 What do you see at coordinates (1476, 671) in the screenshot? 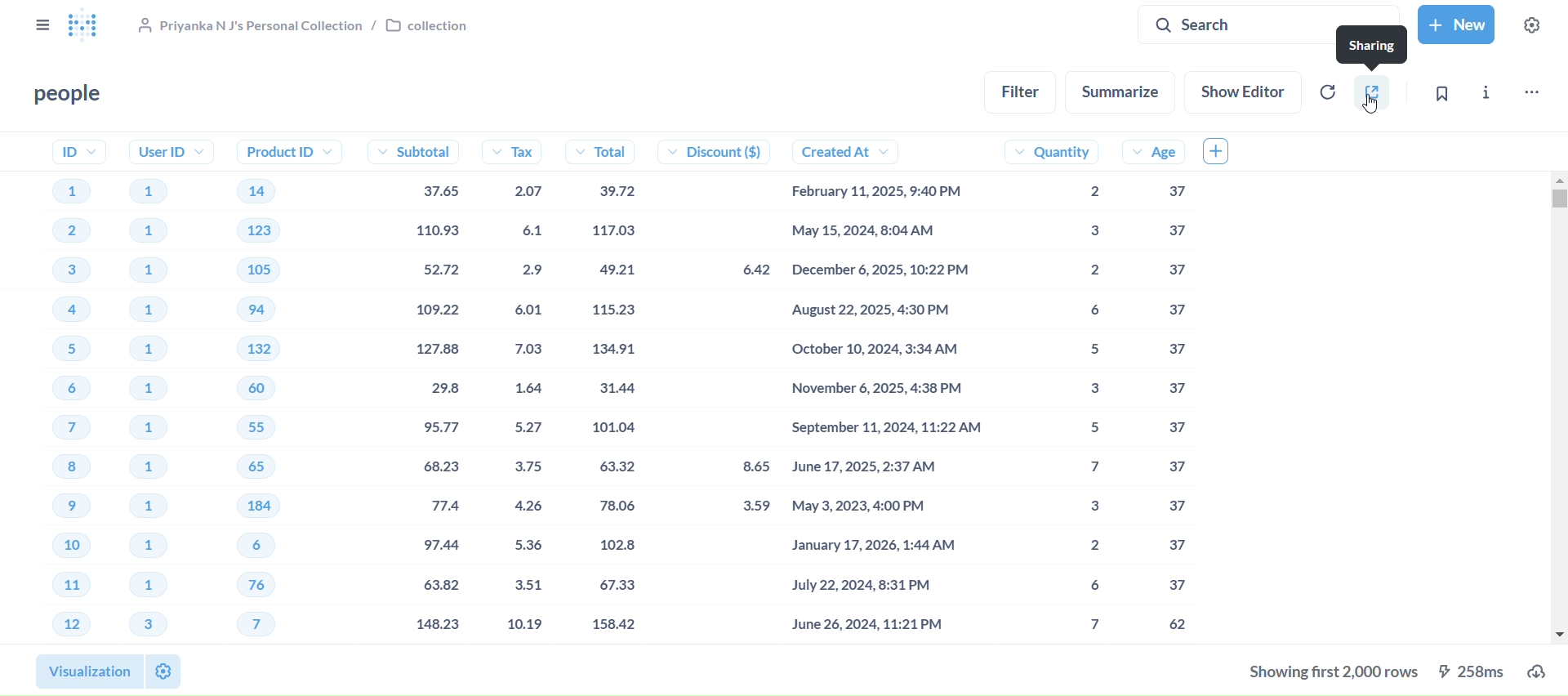
I see `258ms` at bounding box center [1476, 671].